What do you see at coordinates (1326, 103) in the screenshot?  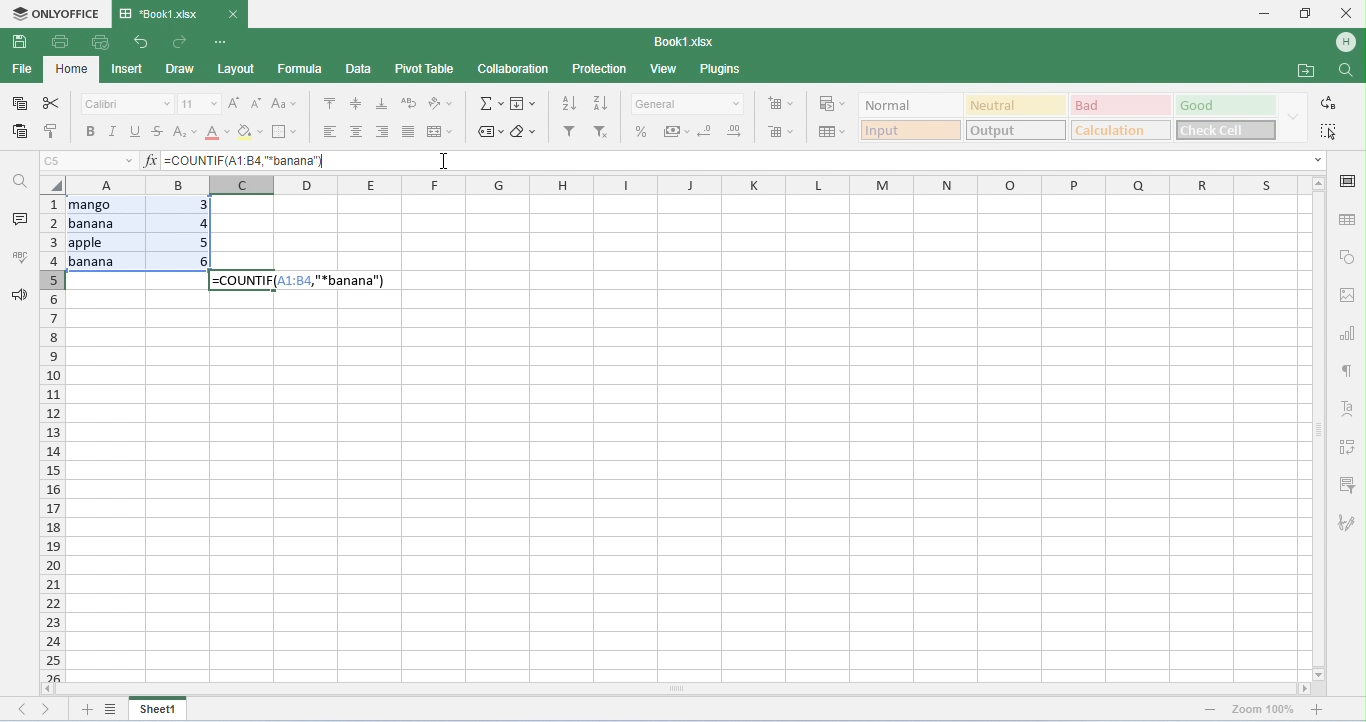 I see `replace` at bounding box center [1326, 103].